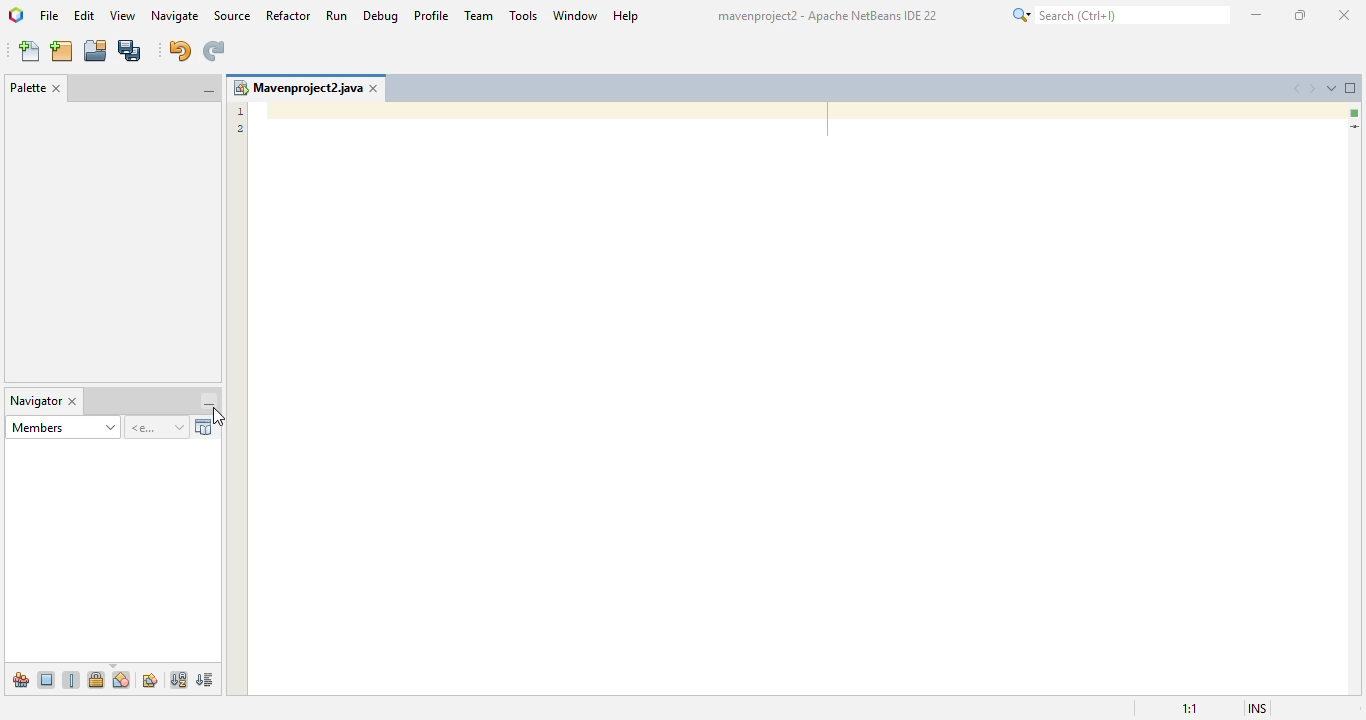 Image resolution: width=1366 pixels, height=720 pixels. What do you see at coordinates (122, 679) in the screenshot?
I see `show inner classes` at bounding box center [122, 679].